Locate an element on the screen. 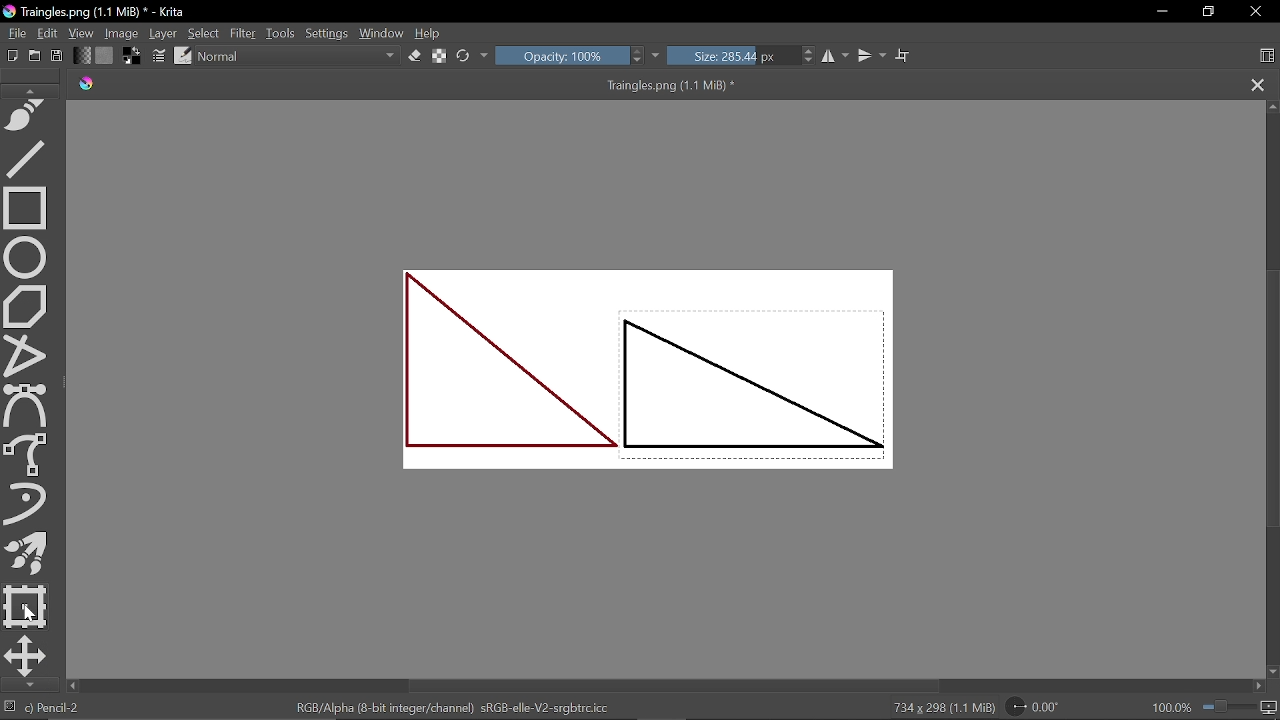 This screenshot has width=1280, height=720. Rectangle tool is located at coordinates (26, 207).